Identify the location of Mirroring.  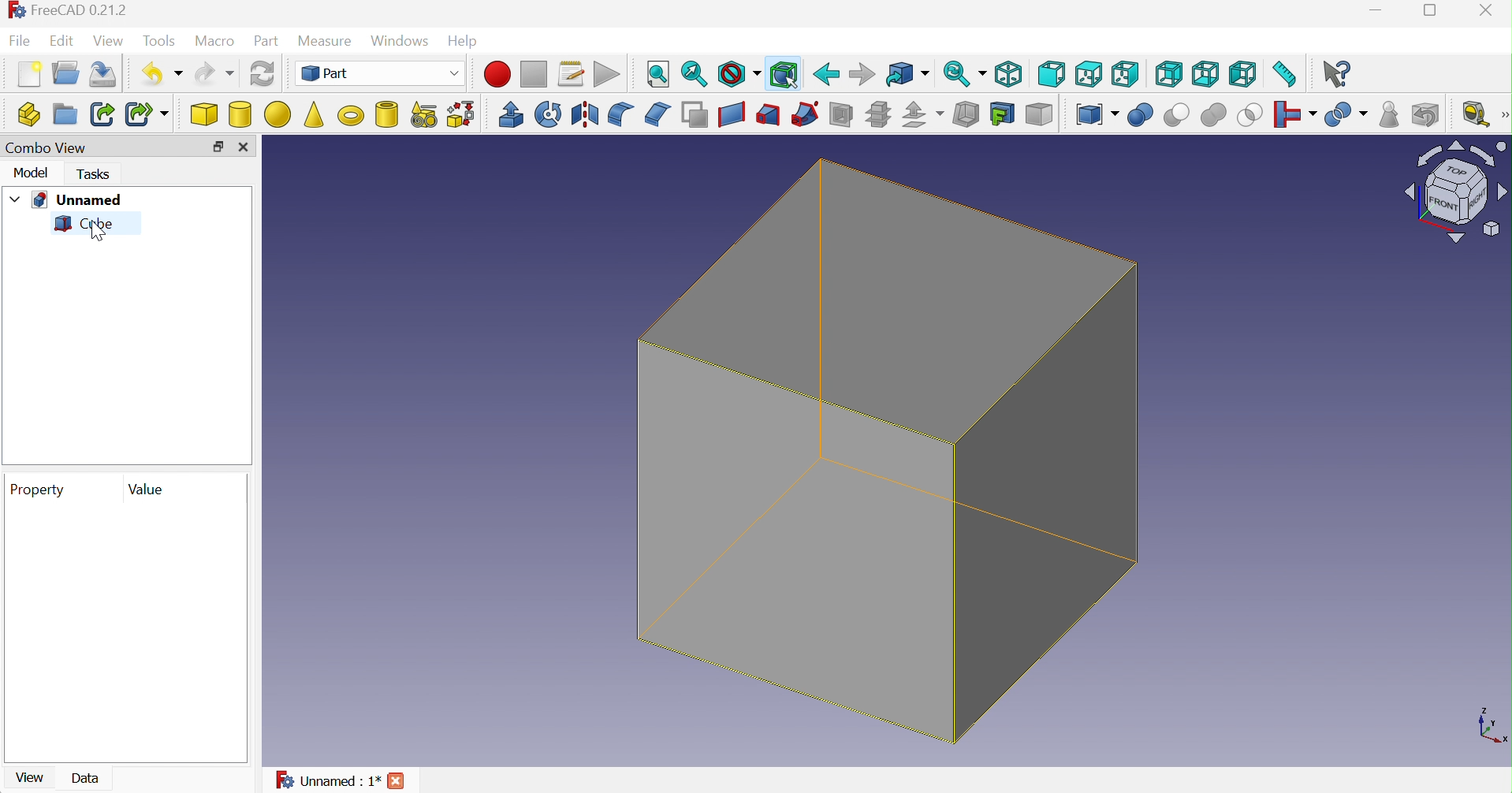
(586, 116).